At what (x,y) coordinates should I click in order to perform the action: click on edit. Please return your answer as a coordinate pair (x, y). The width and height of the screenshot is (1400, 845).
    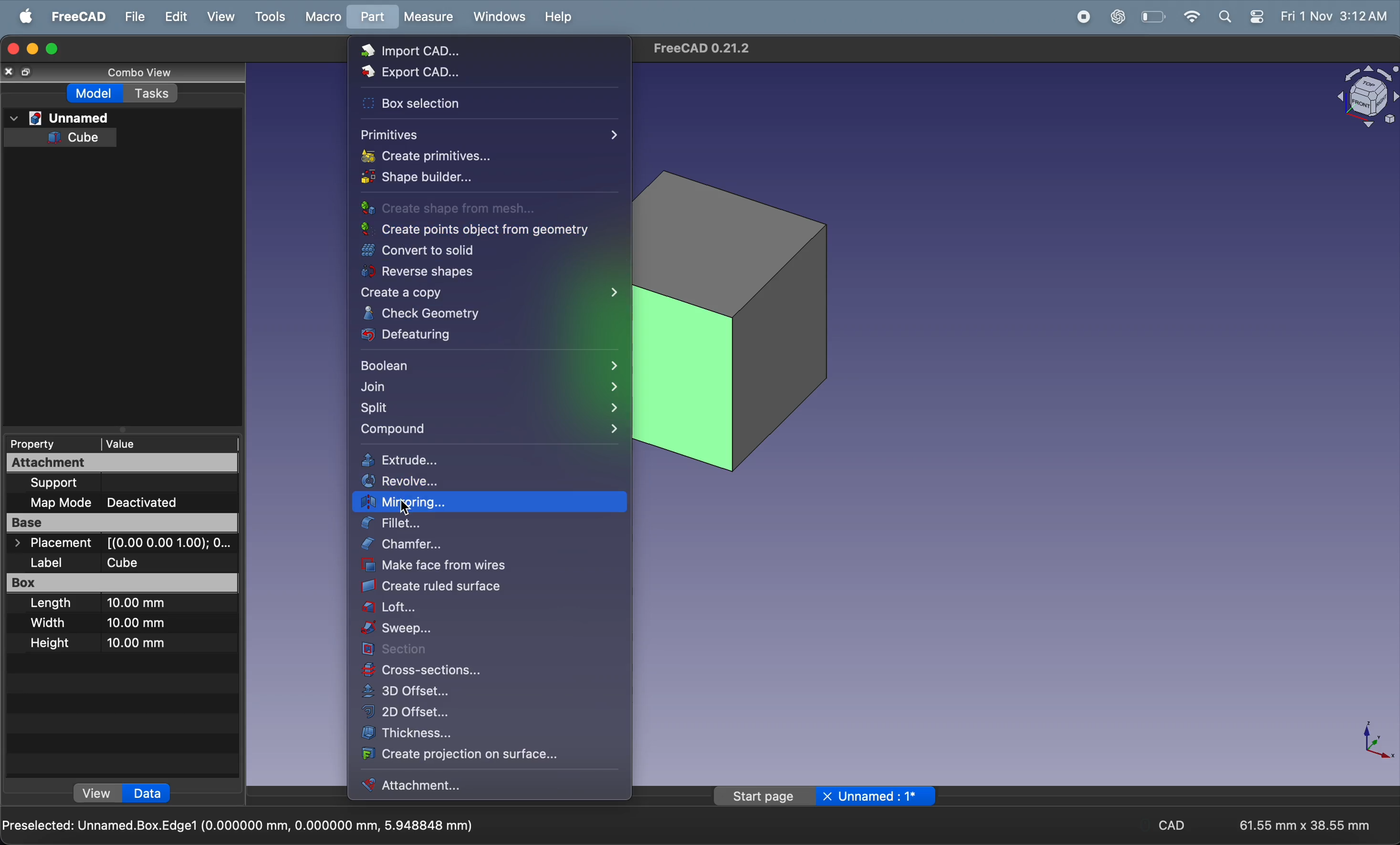
    Looking at the image, I should click on (173, 16).